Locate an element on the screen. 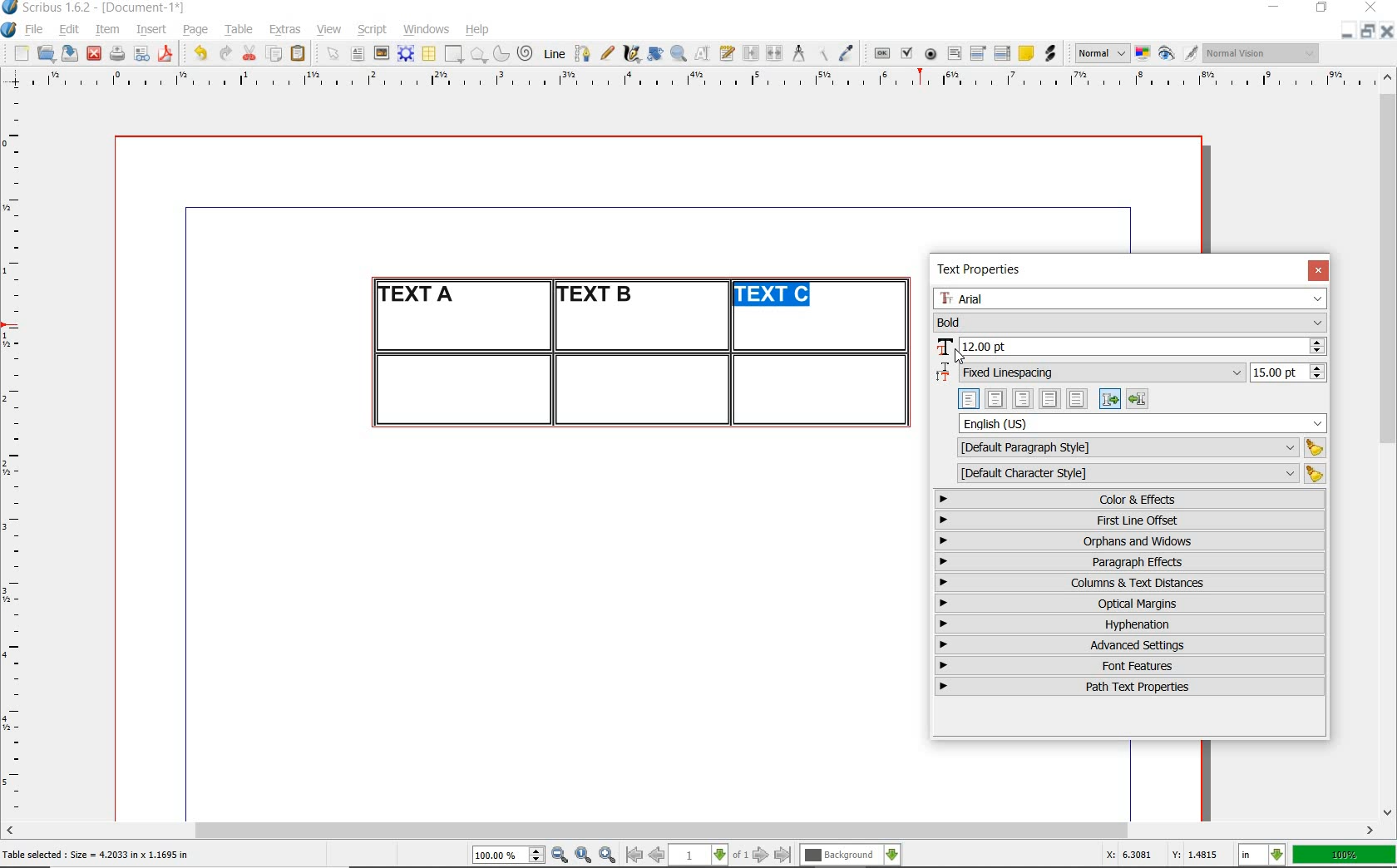 The height and width of the screenshot is (868, 1397). cut is located at coordinates (249, 52).